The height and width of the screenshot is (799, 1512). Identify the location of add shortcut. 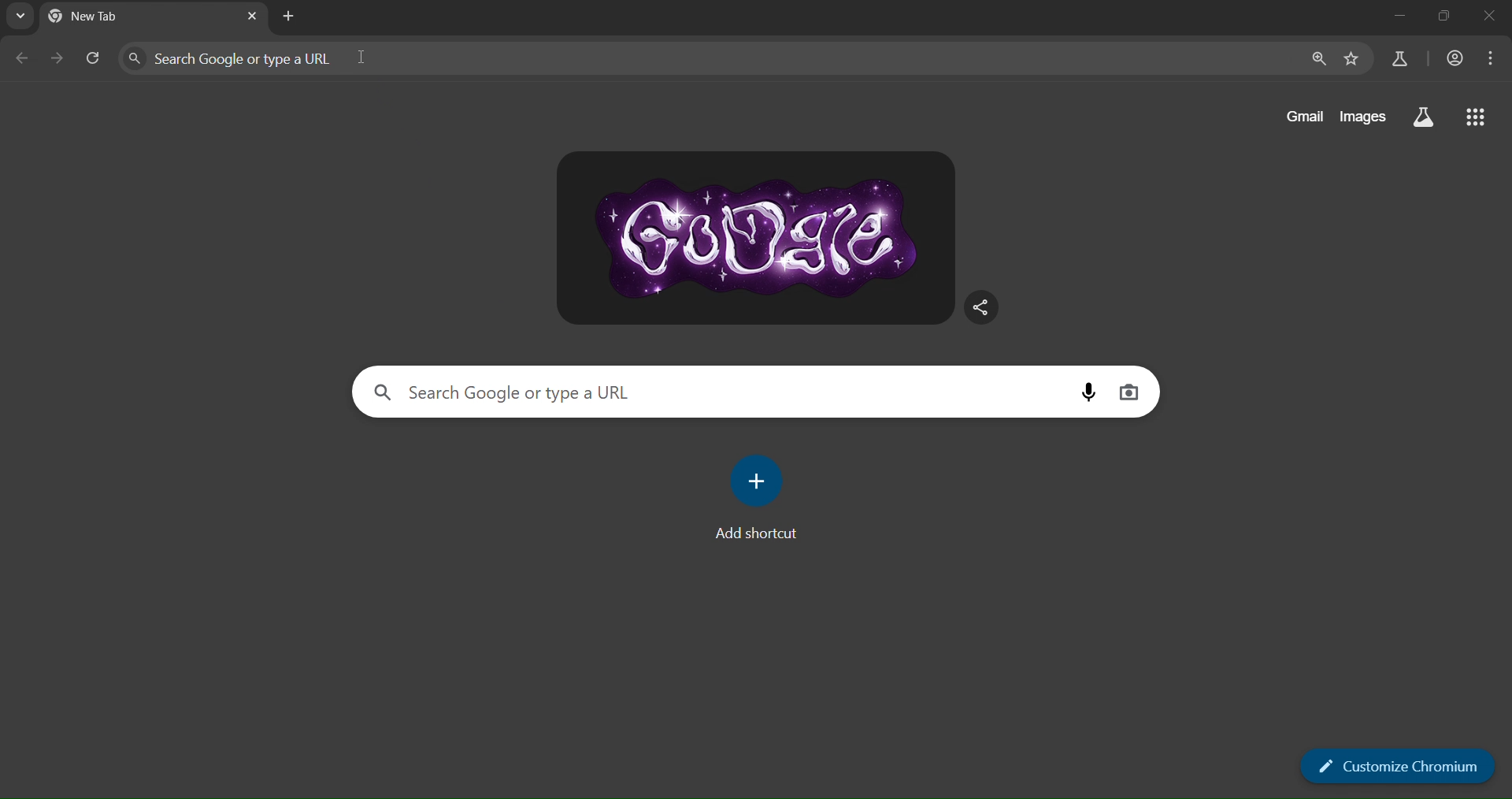
(759, 495).